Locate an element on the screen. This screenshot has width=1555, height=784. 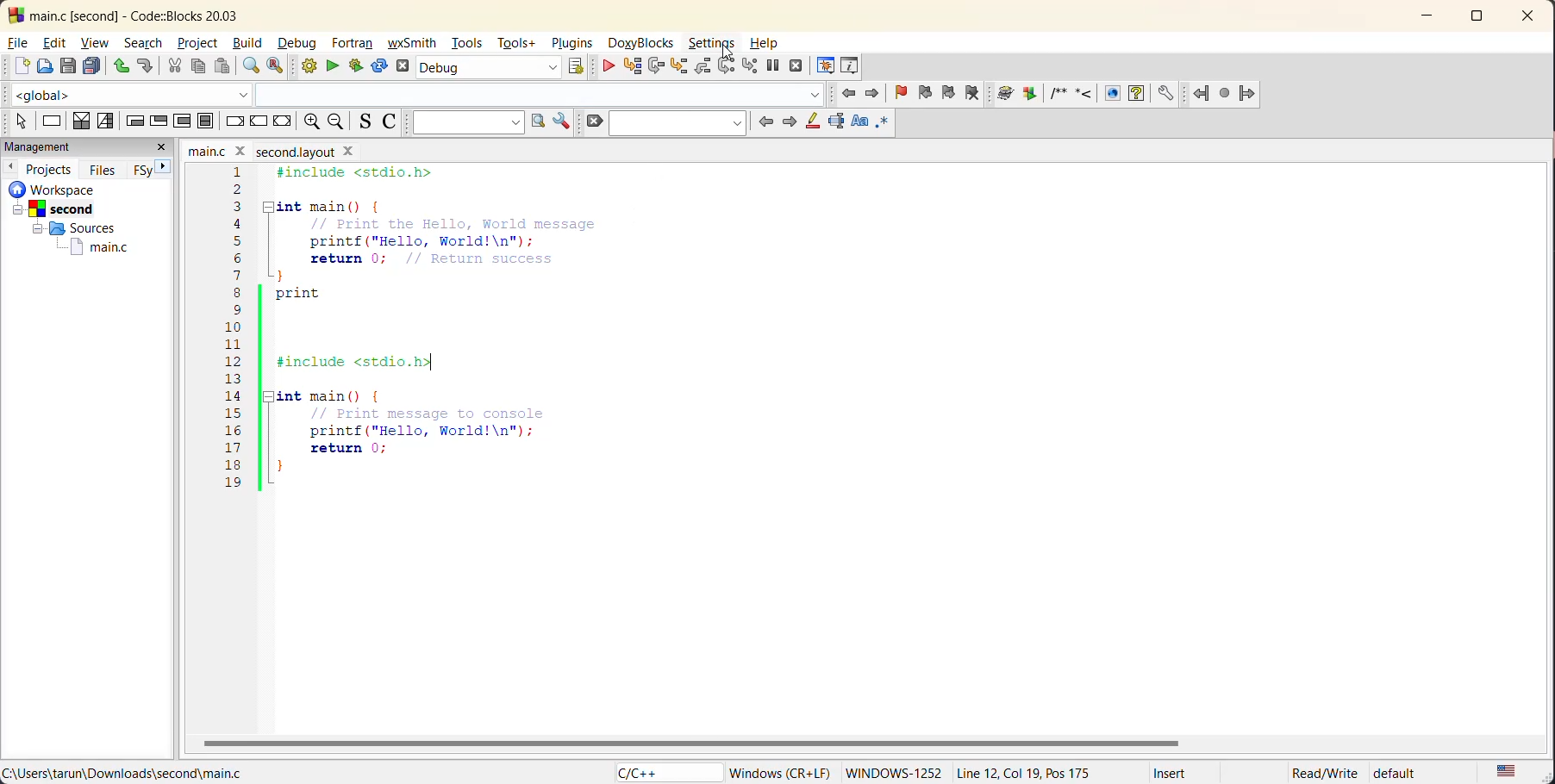
search is located at coordinates (679, 123).